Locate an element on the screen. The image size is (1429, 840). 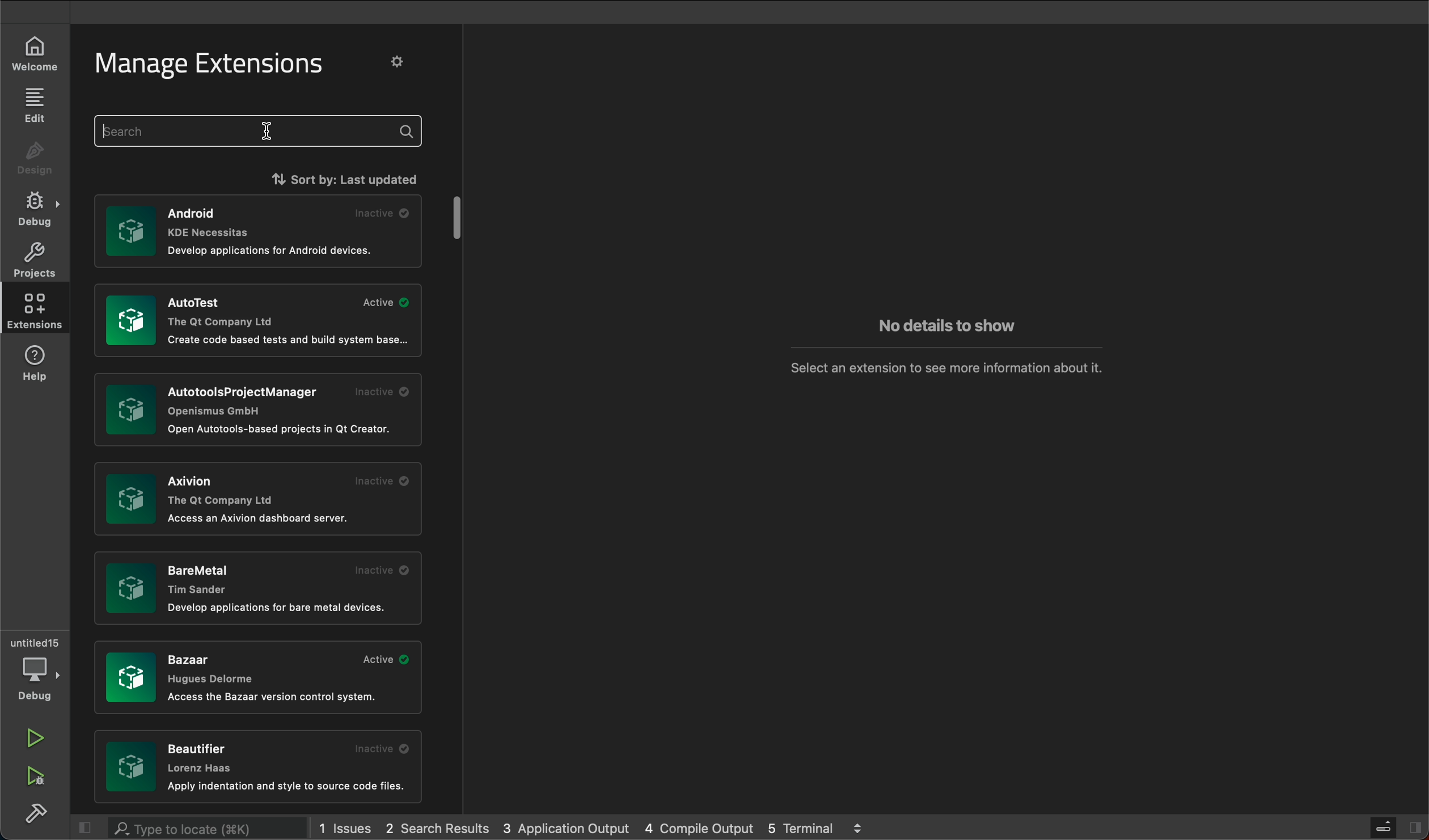
image is located at coordinates (132, 500).